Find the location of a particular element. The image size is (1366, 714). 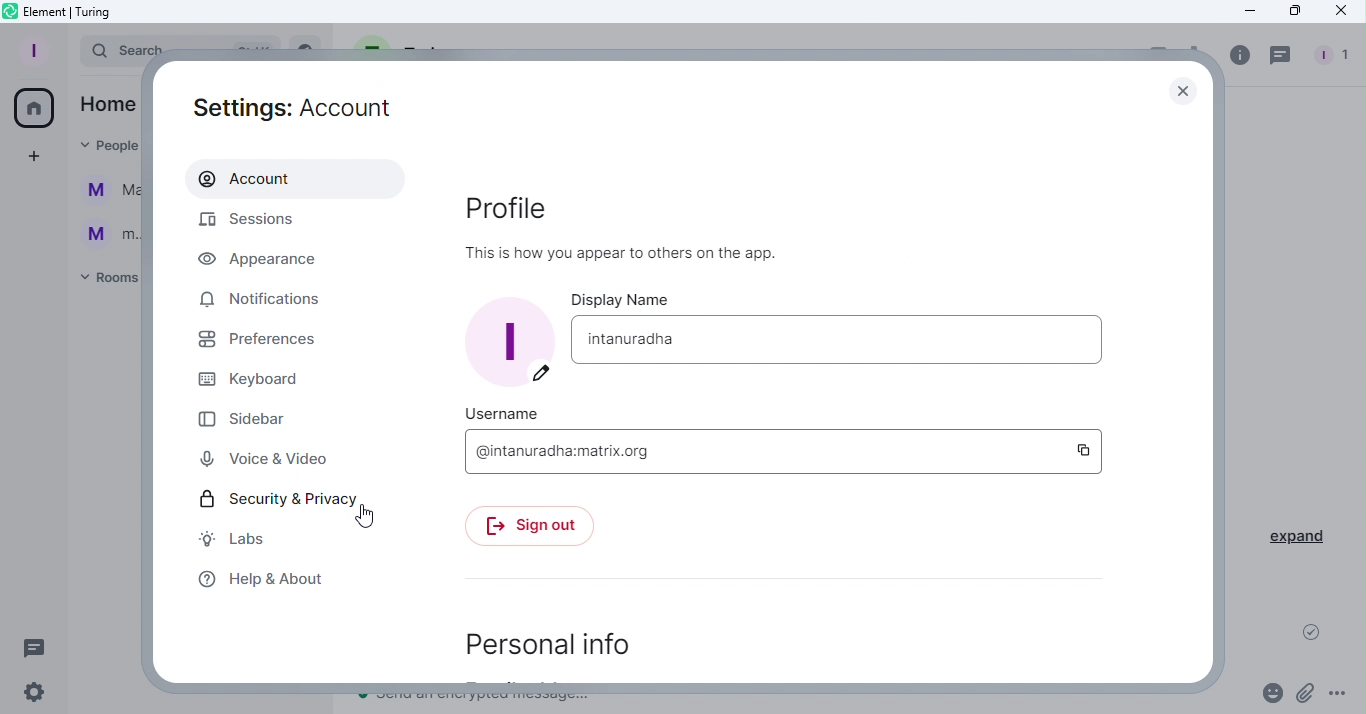

Username is located at coordinates (500, 412).